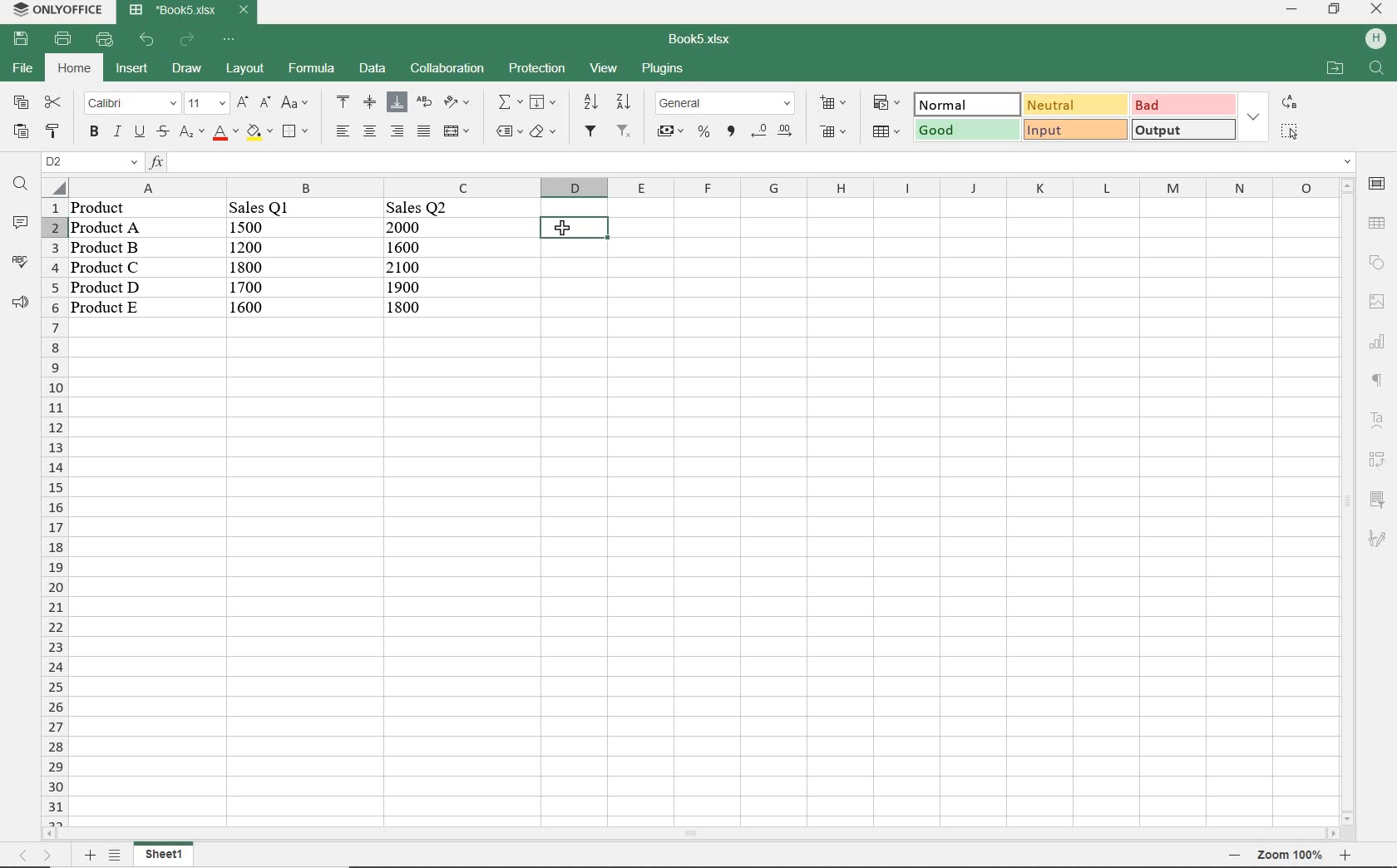 Image resolution: width=1397 pixels, height=868 pixels. What do you see at coordinates (1379, 8) in the screenshot?
I see `close` at bounding box center [1379, 8].